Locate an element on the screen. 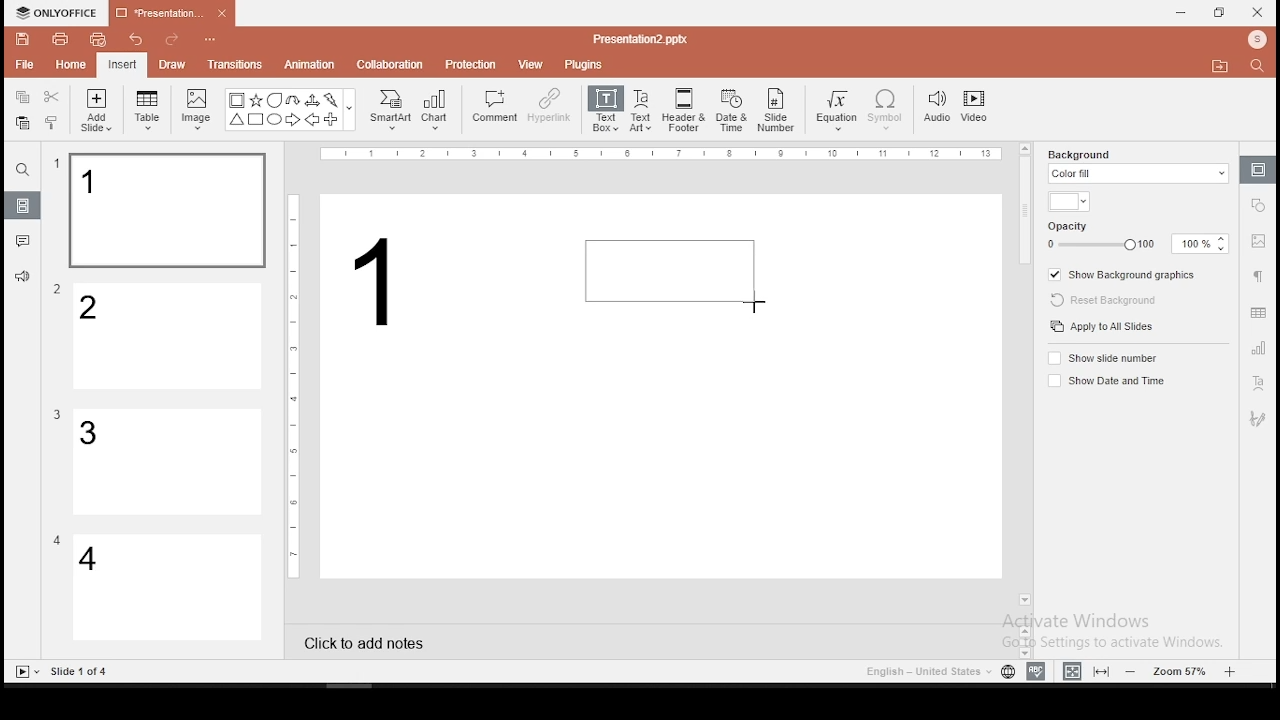 The height and width of the screenshot is (720, 1280). presentation is located at coordinates (169, 15).